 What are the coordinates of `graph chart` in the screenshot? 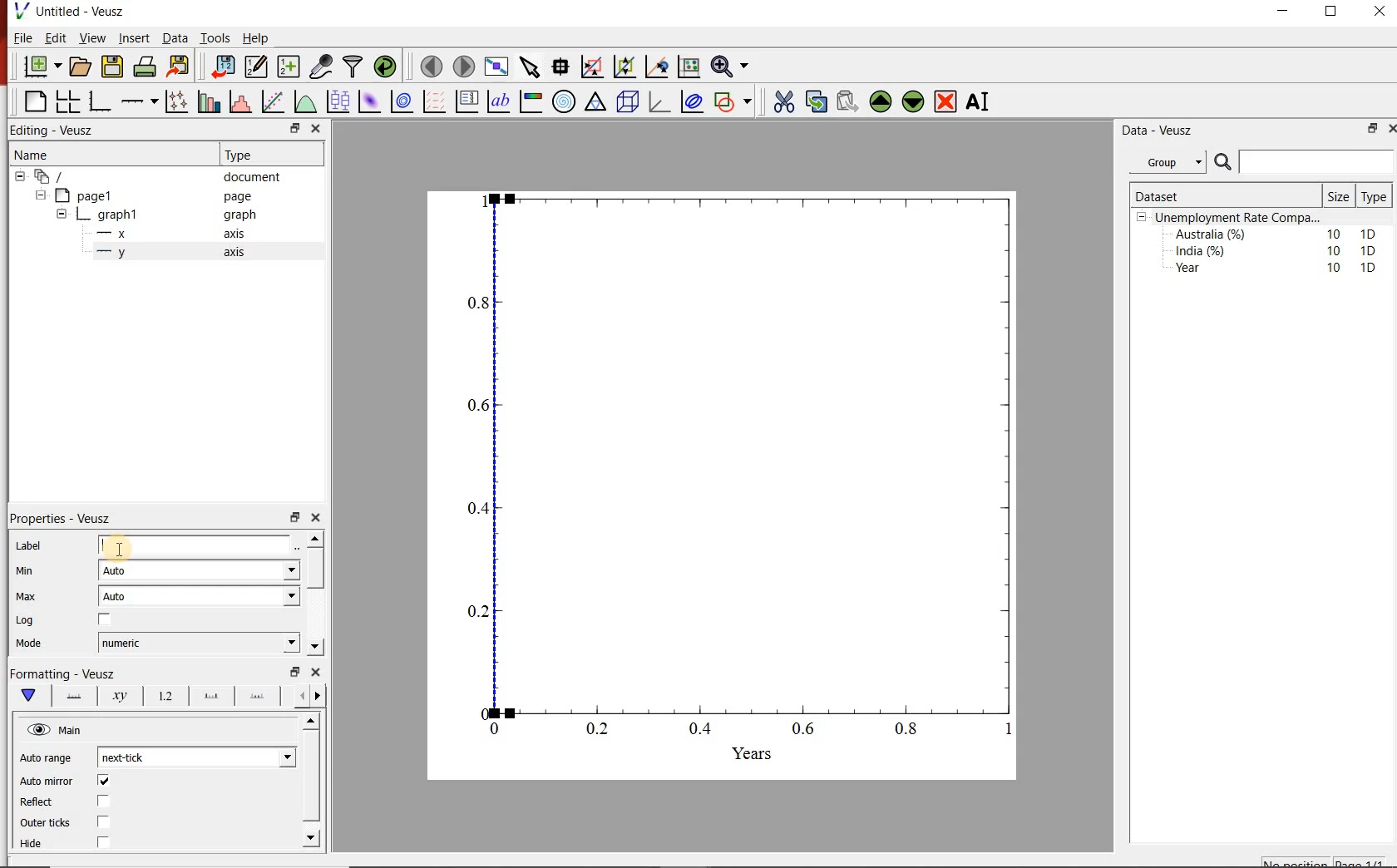 It's located at (723, 486).